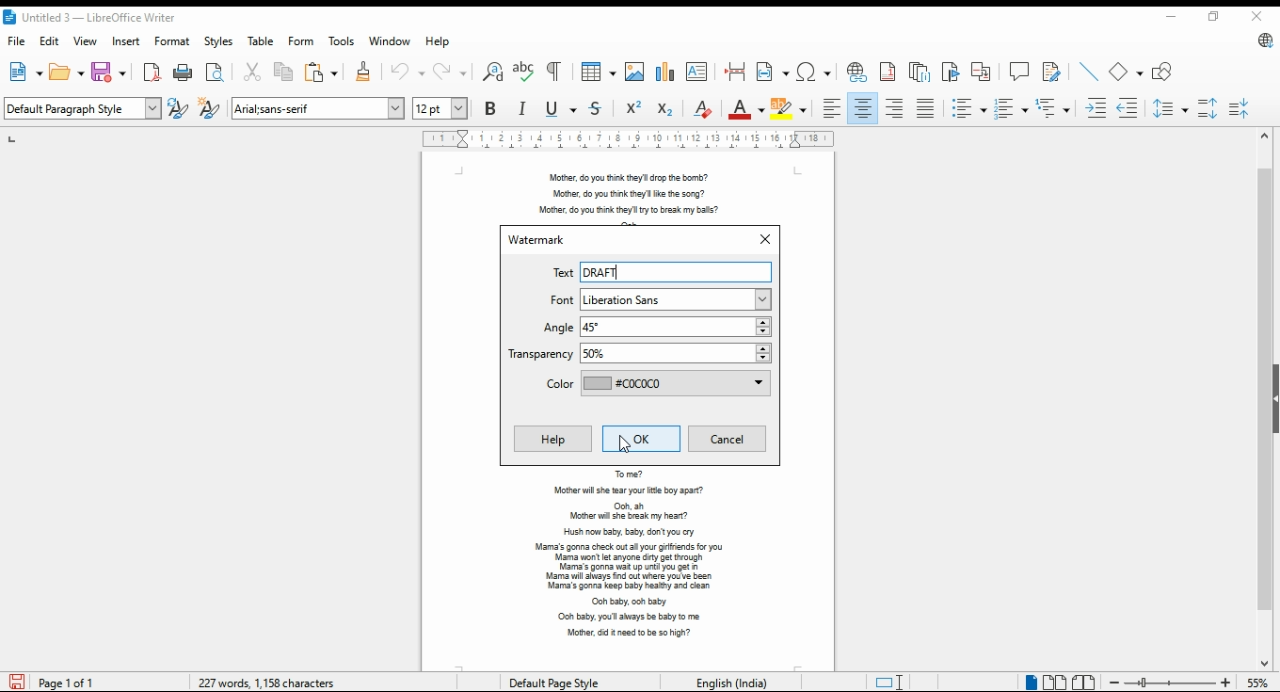 The width and height of the screenshot is (1280, 692). Describe the element at coordinates (151, 71) in the screenshot. I see `export directly as pdf` at that location.